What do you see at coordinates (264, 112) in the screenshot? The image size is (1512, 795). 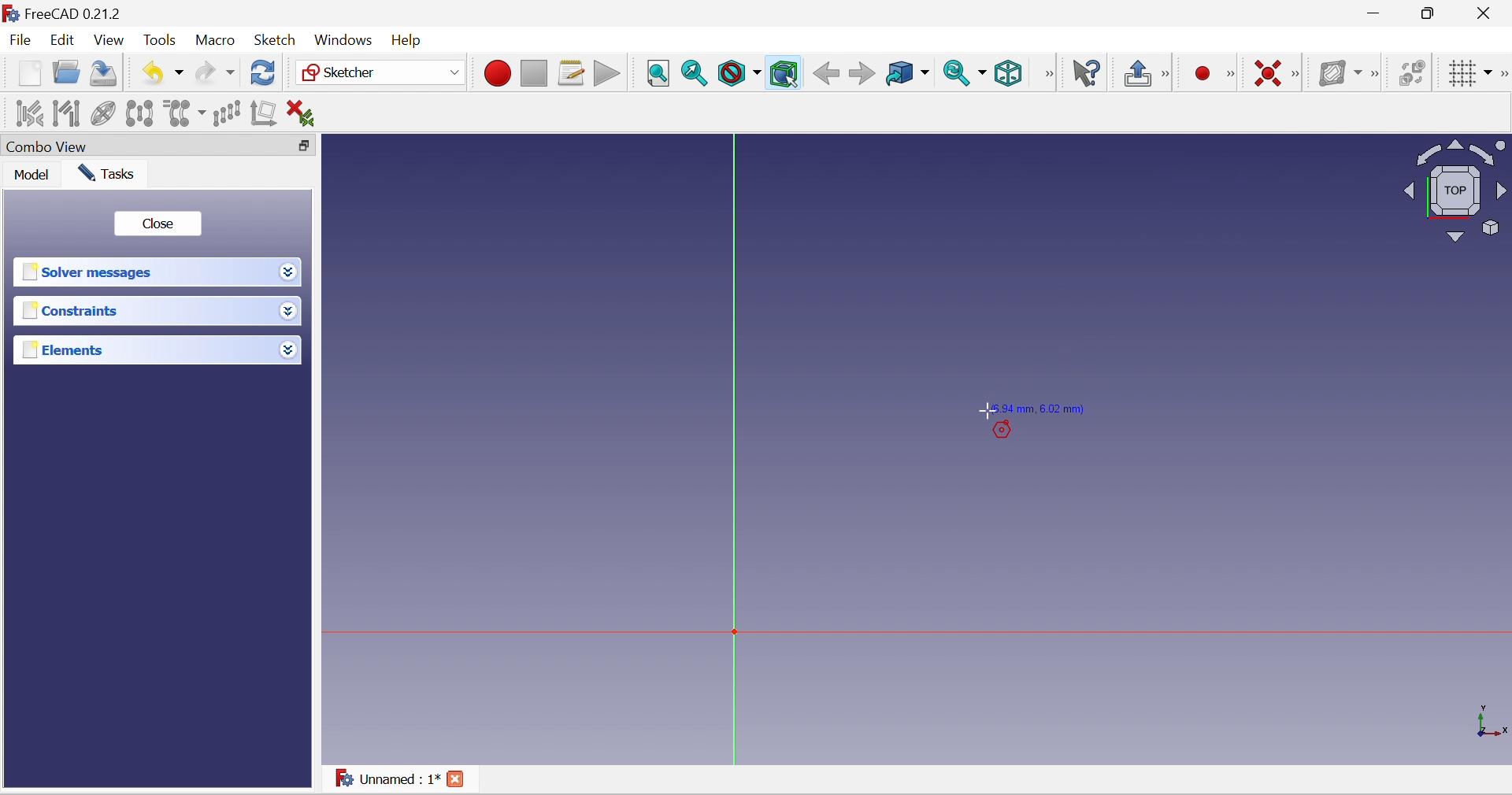 I see `Remove axes alignment` at bounding box center [264, 112].